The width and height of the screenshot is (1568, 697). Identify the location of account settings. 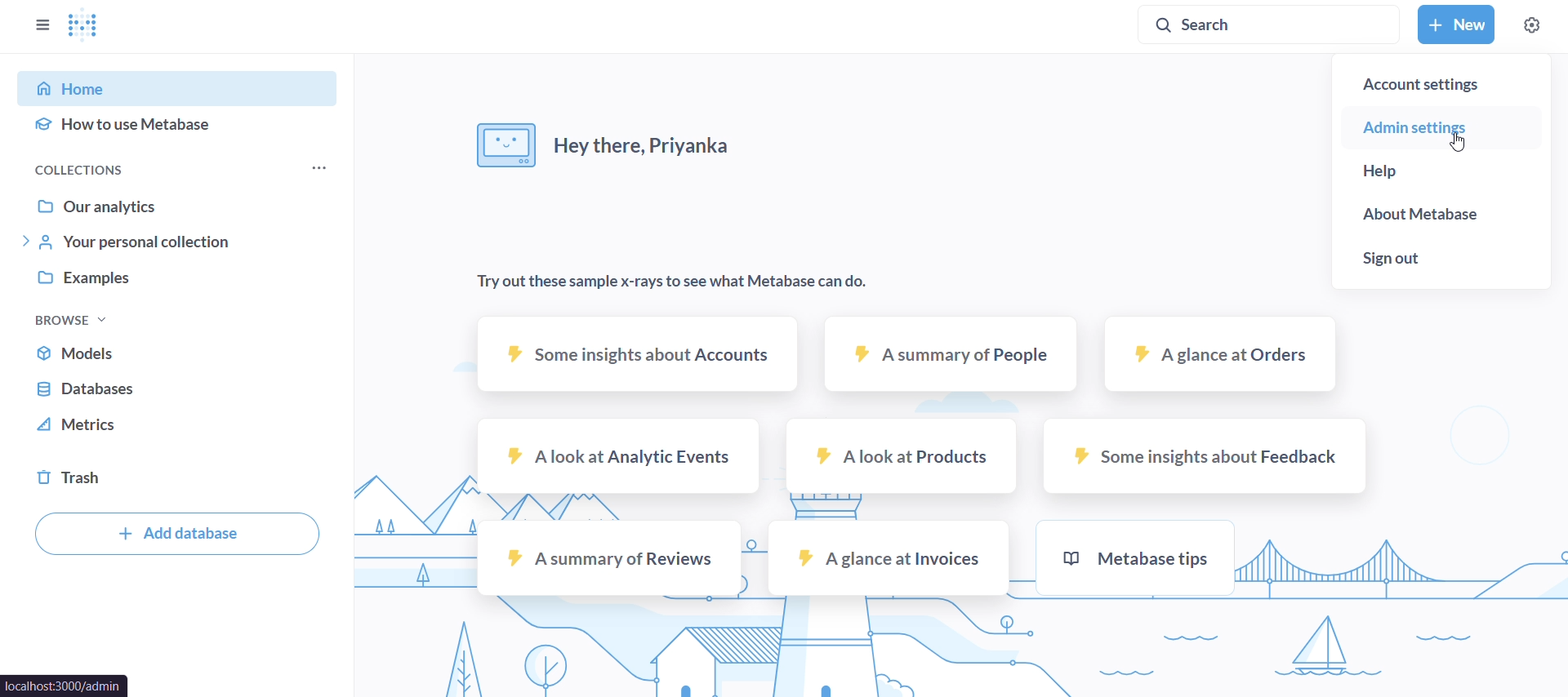
(1442, 78).